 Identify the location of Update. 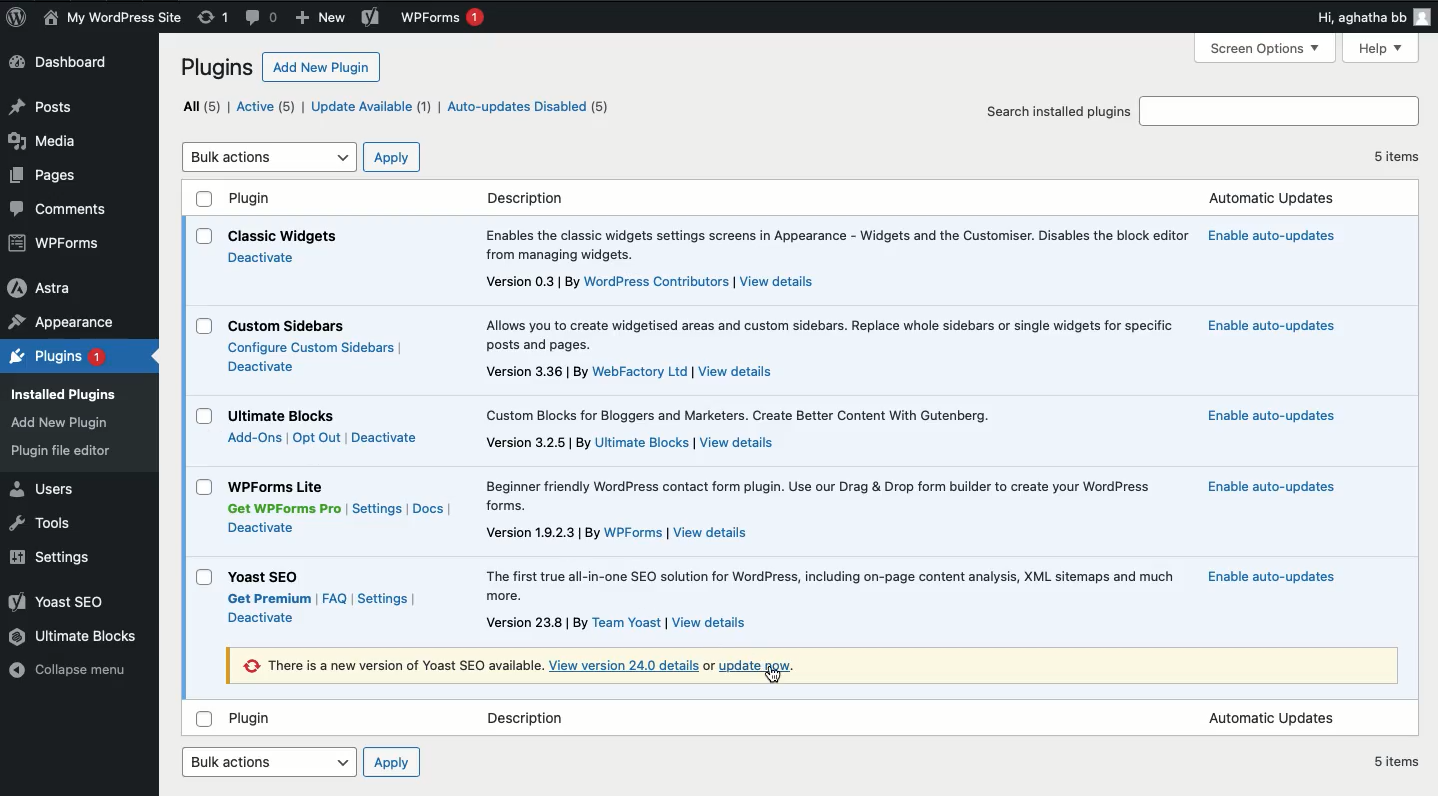
(757, 664).